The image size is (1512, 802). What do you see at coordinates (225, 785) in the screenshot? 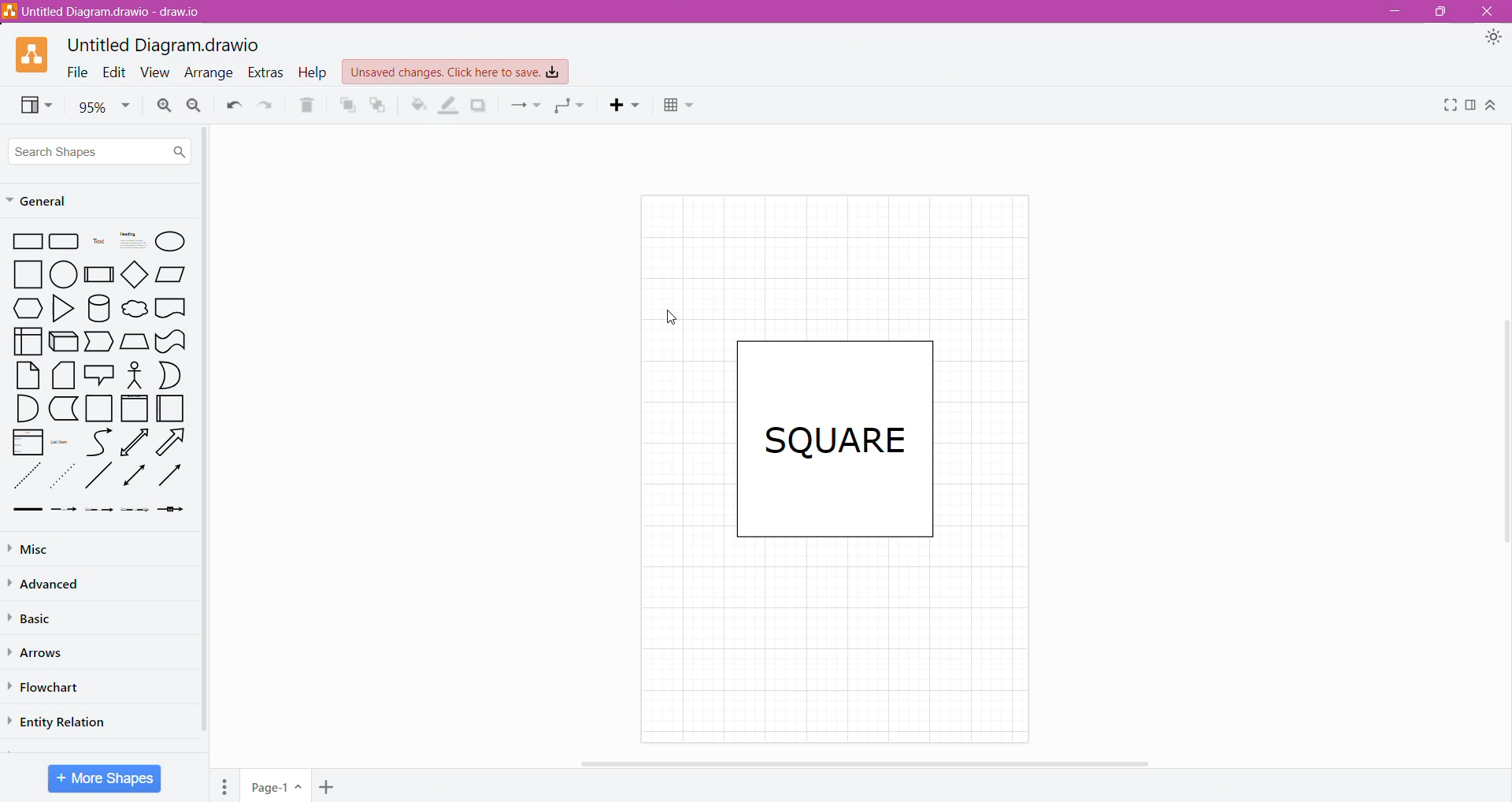
I see `Pages` at bounding box center [225, 785].